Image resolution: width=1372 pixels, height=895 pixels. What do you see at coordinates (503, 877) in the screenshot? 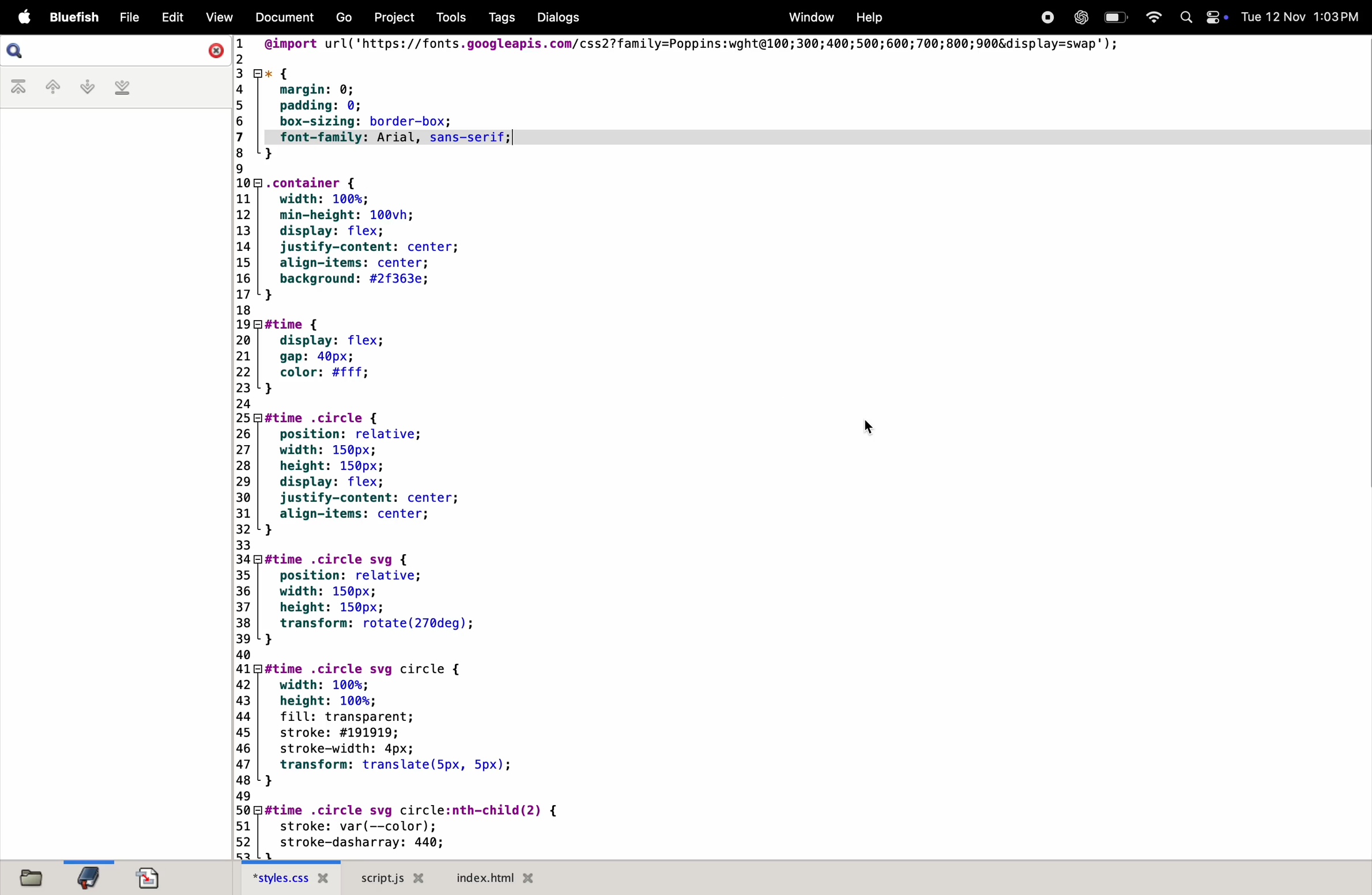
I see `index.html file` at bounding box center [503, 877].